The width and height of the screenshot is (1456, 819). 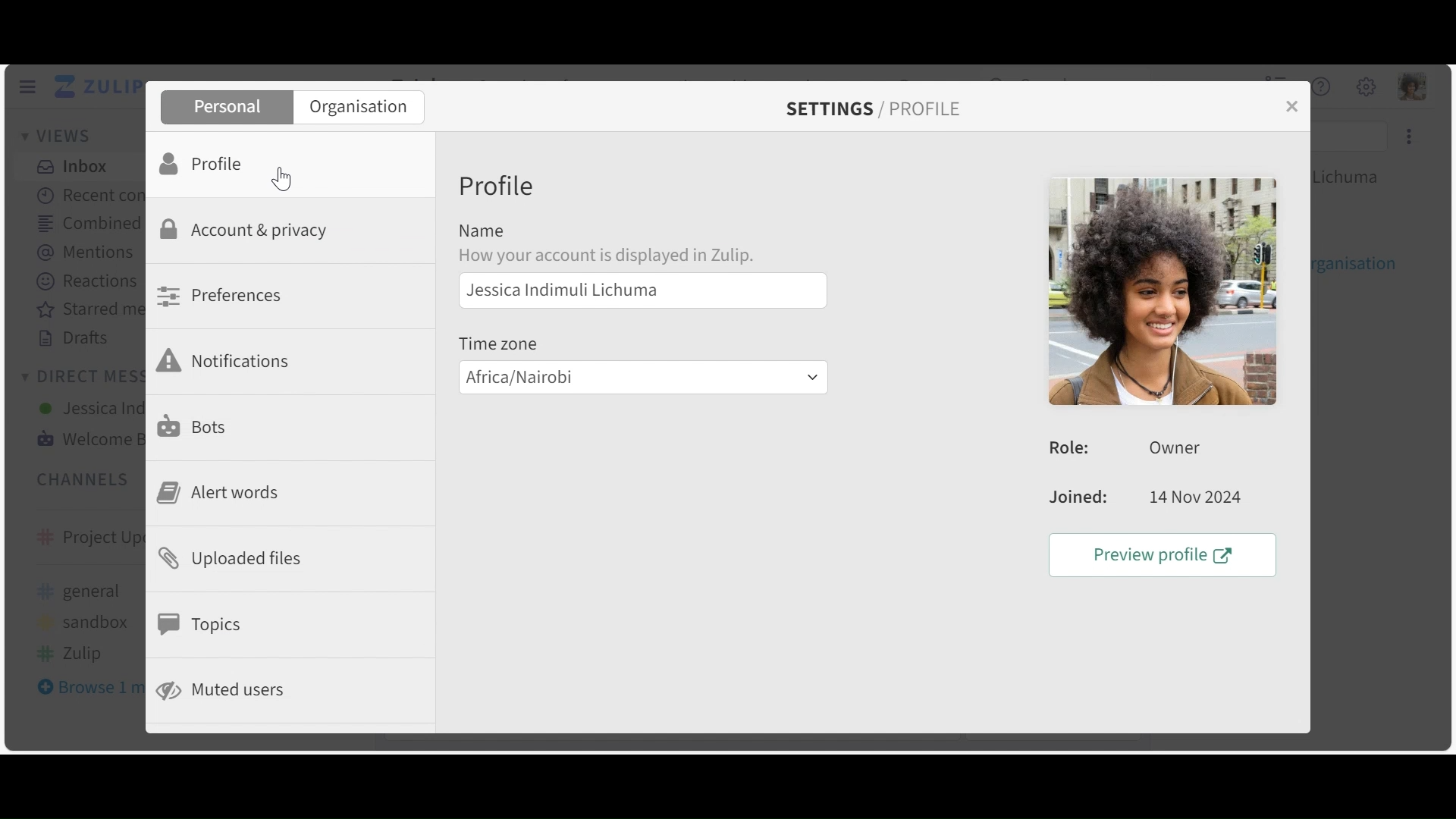 What do you see at coordinates (356, 107) in the screenshot?
I see `Organisation` at bounding box center [356, 107].